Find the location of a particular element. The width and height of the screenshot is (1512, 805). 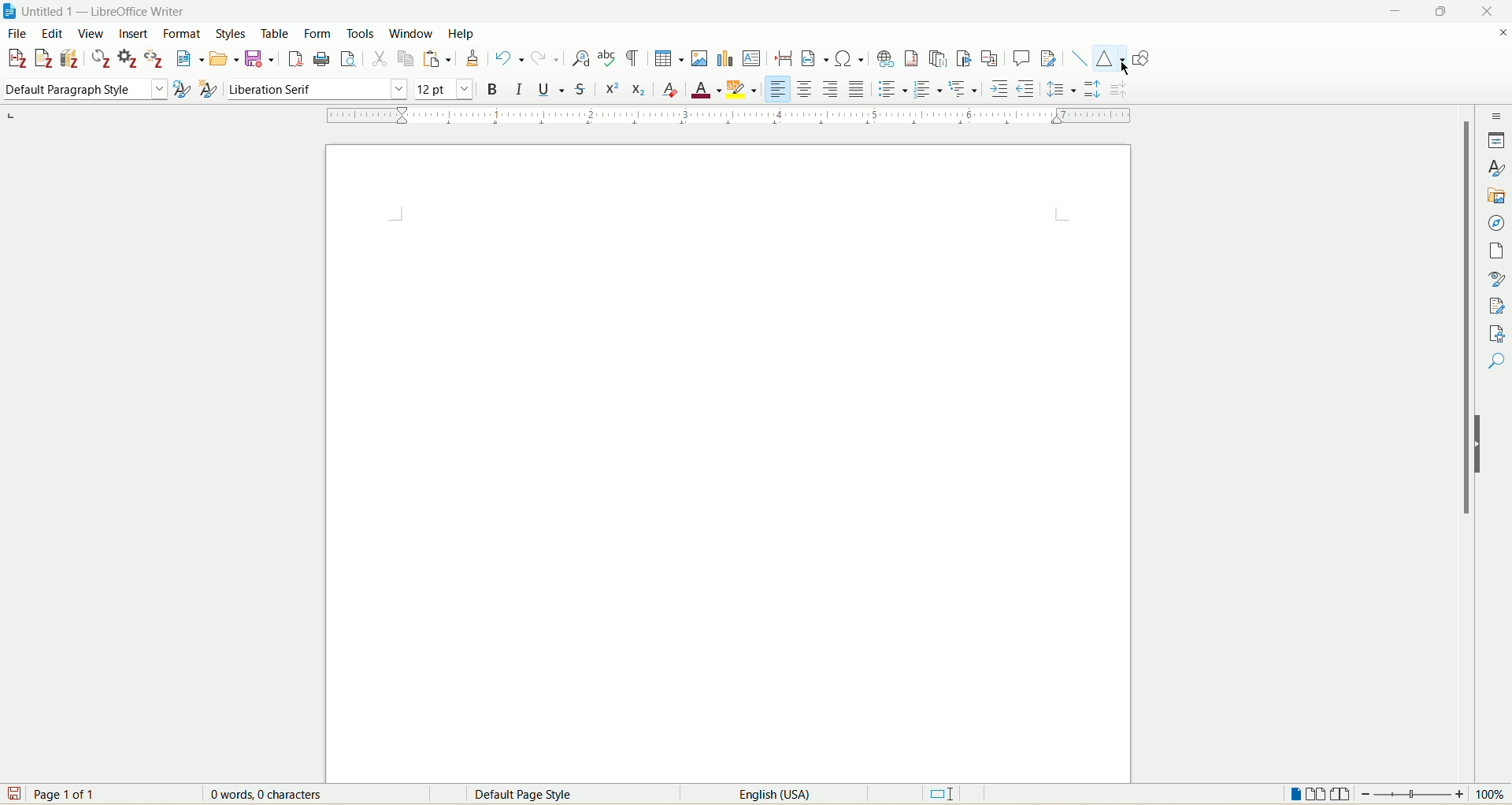

open is located at coordinates (224, 59).